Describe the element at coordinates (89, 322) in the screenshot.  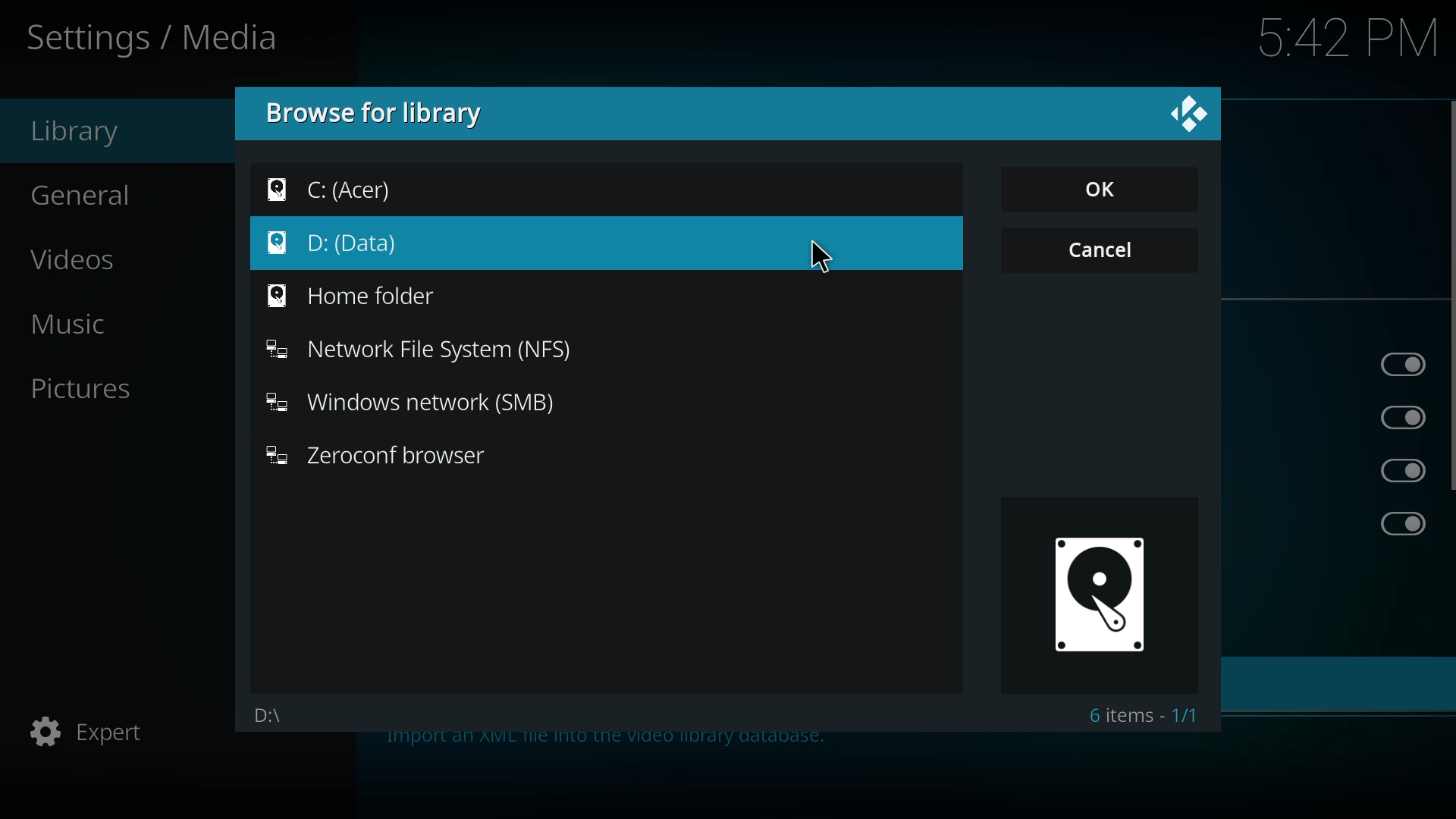
I see `music` at that location.